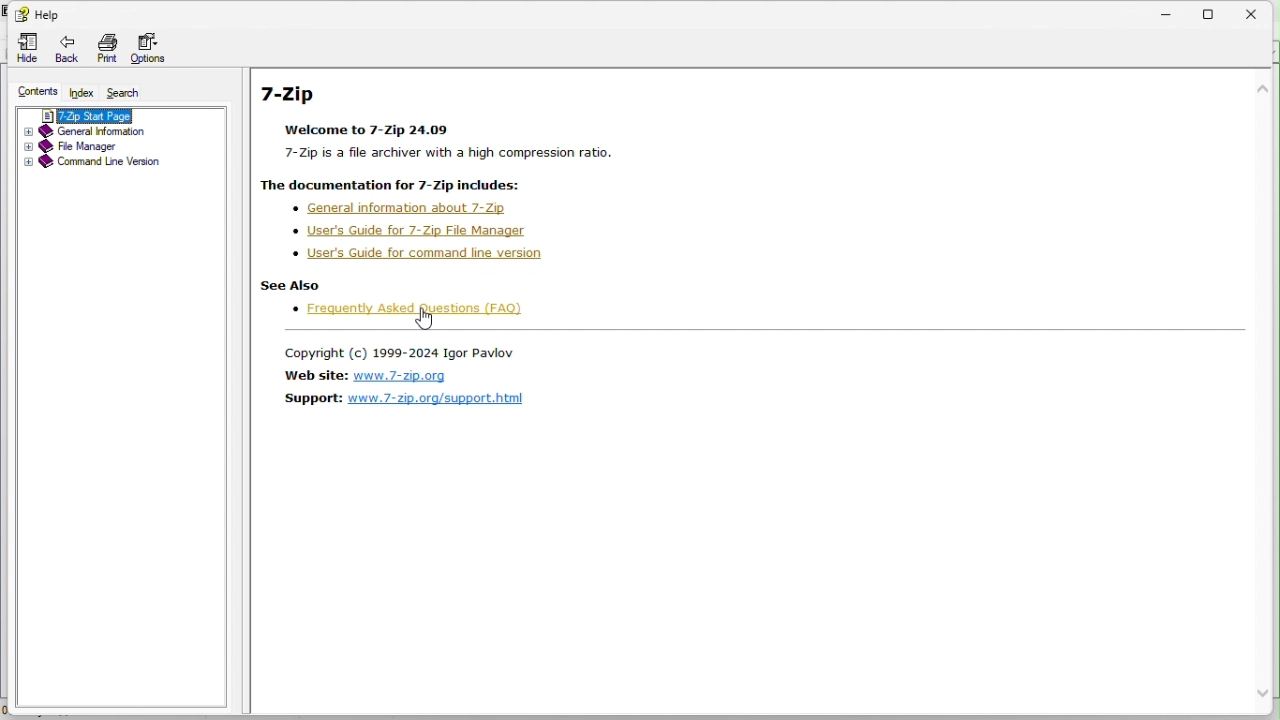 The image size is (1280, 720). What do you see at coordinates (118, 165) in the screenshot?
I see `Command line version` at bounding box center [118, 165].